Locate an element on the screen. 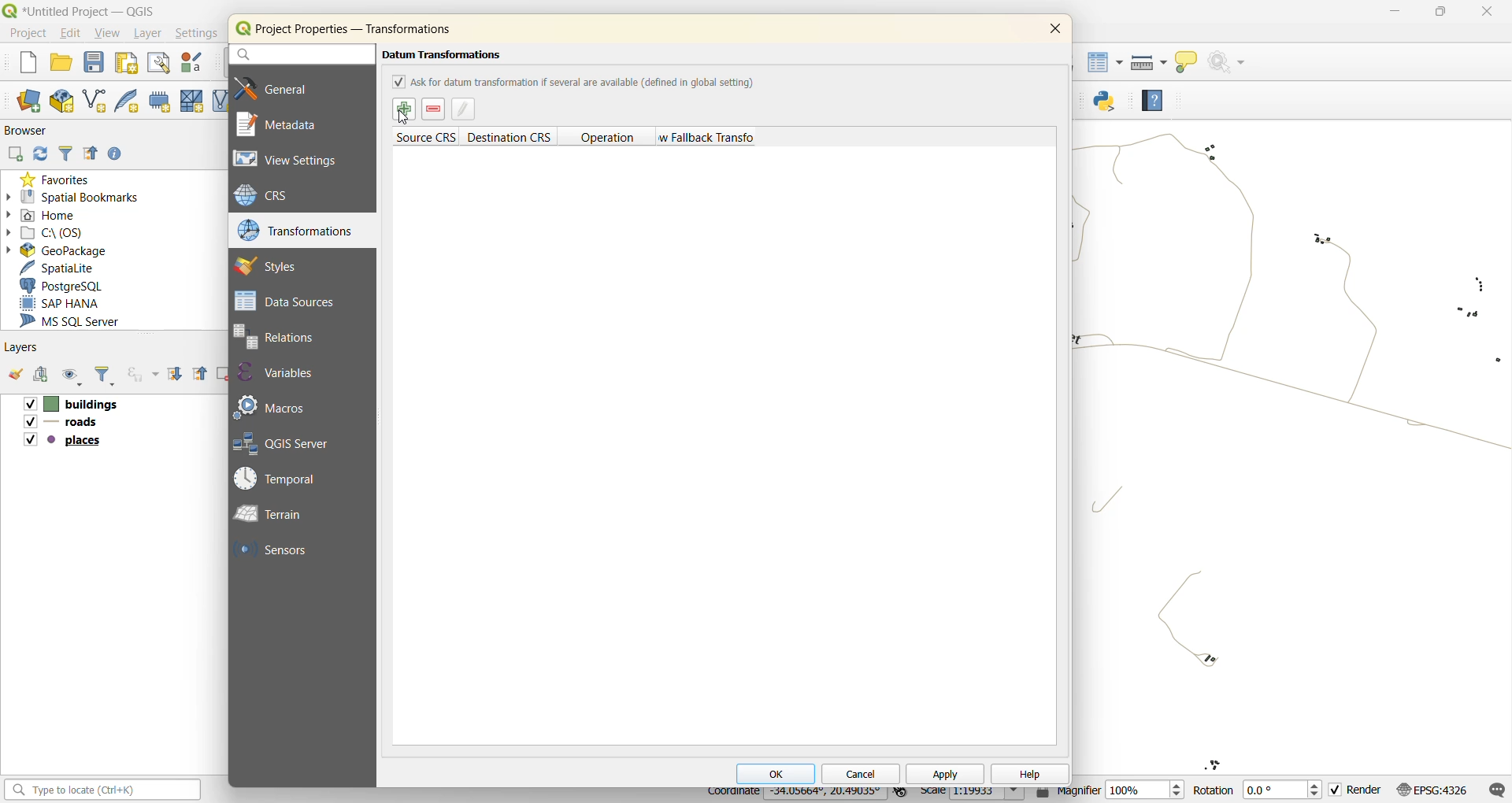 The image size is (1512, 803). no action is located at coordinates (1232, 62).